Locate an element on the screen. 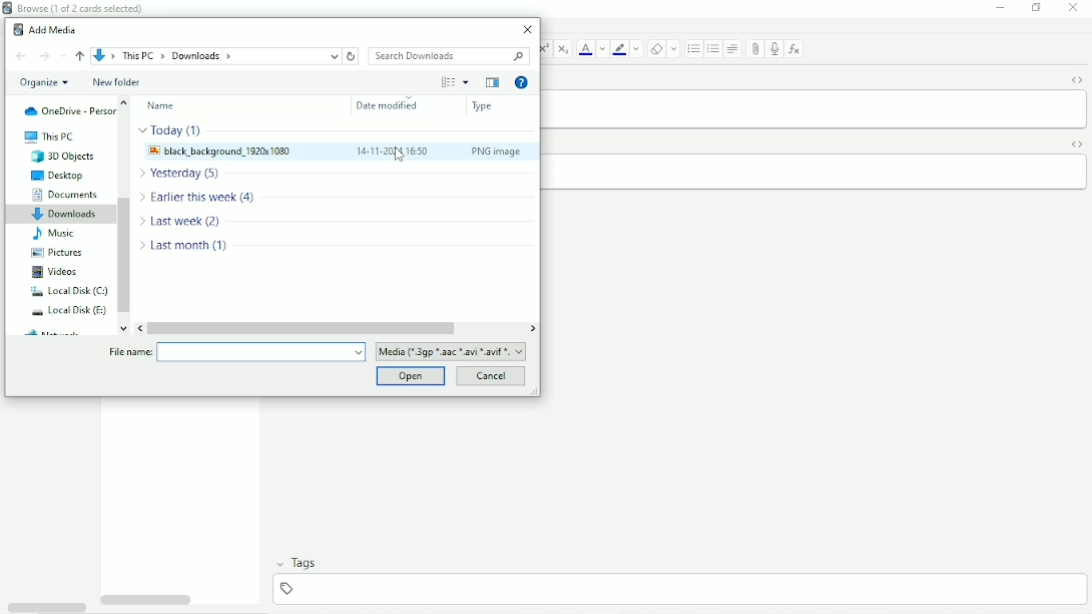 The image size is (1092, 614). Attach pictures/audio/video is located at coordinates (755, 49).